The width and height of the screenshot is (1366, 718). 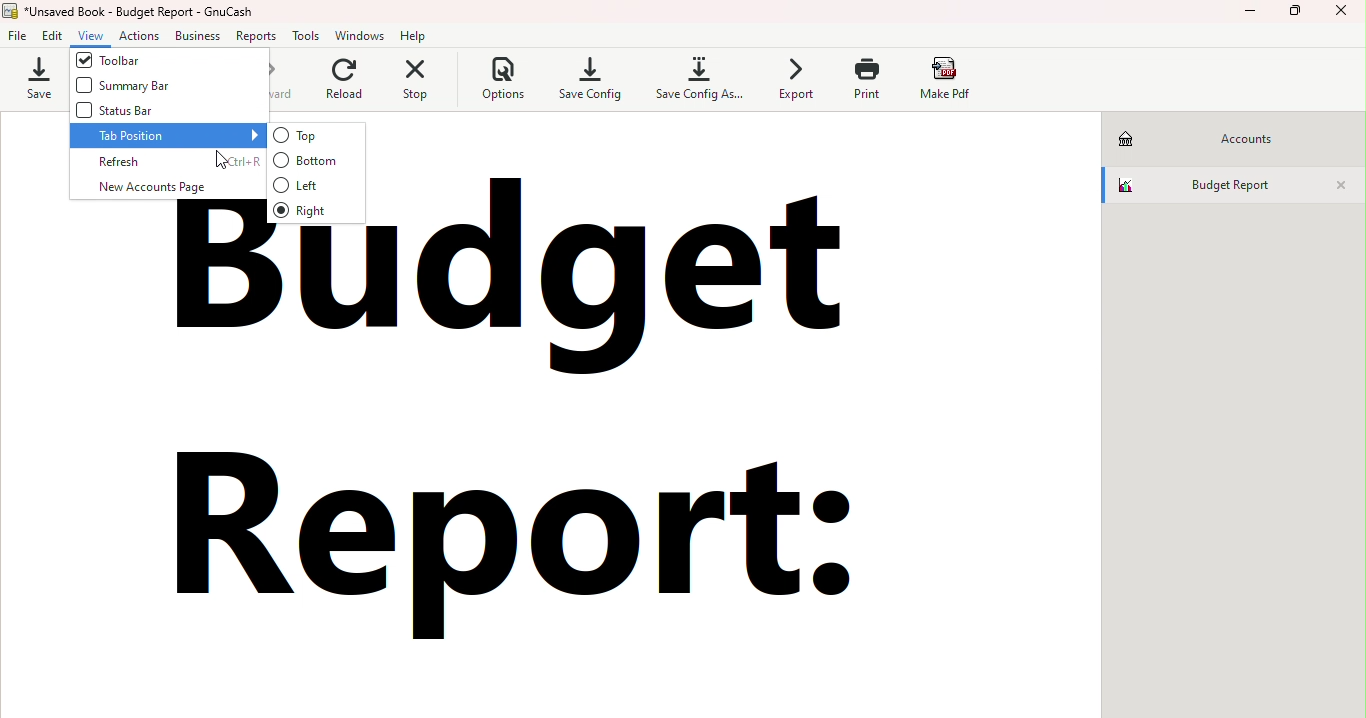 I want to click on budget report, so click(x=518, y=441).